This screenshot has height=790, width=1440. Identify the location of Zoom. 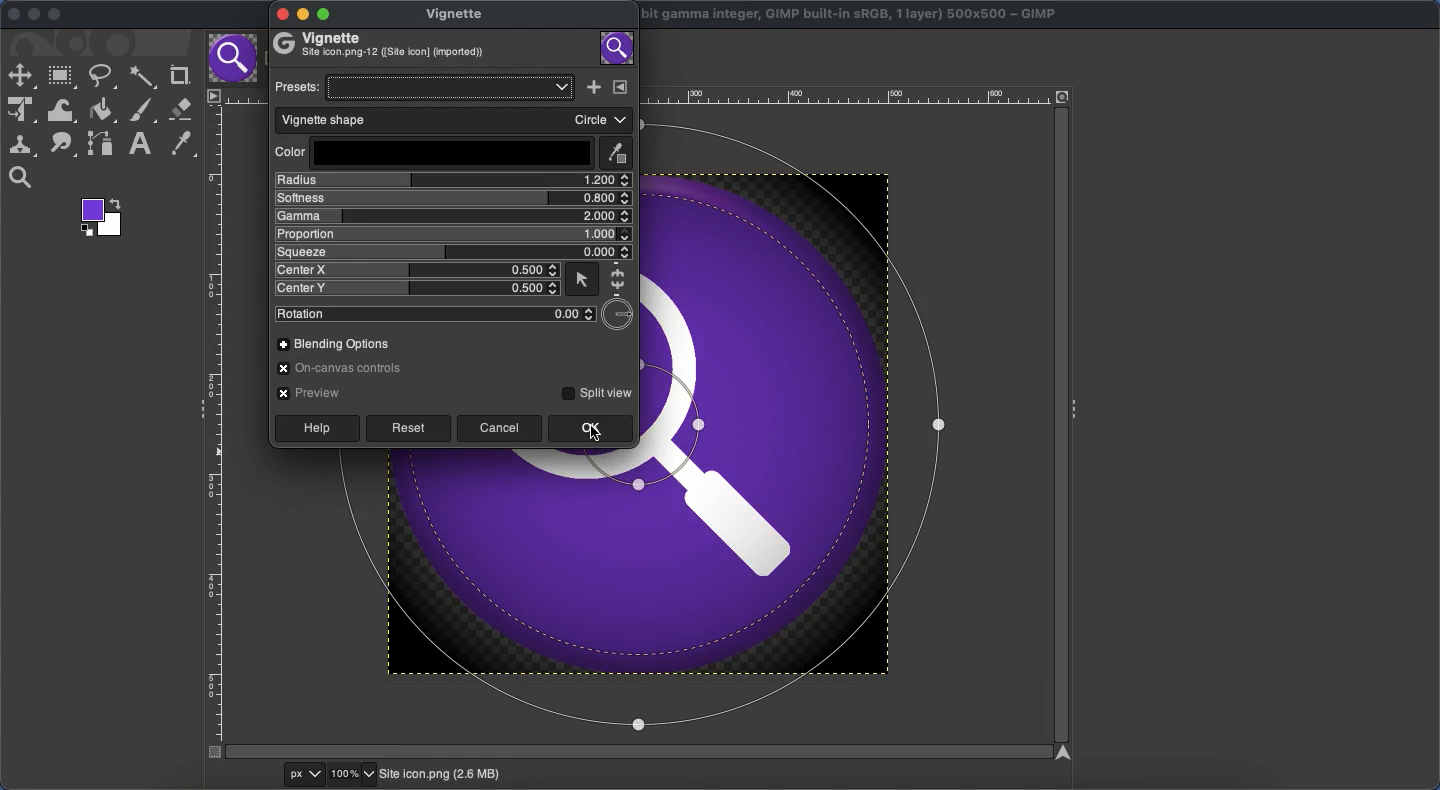
(354, 775).